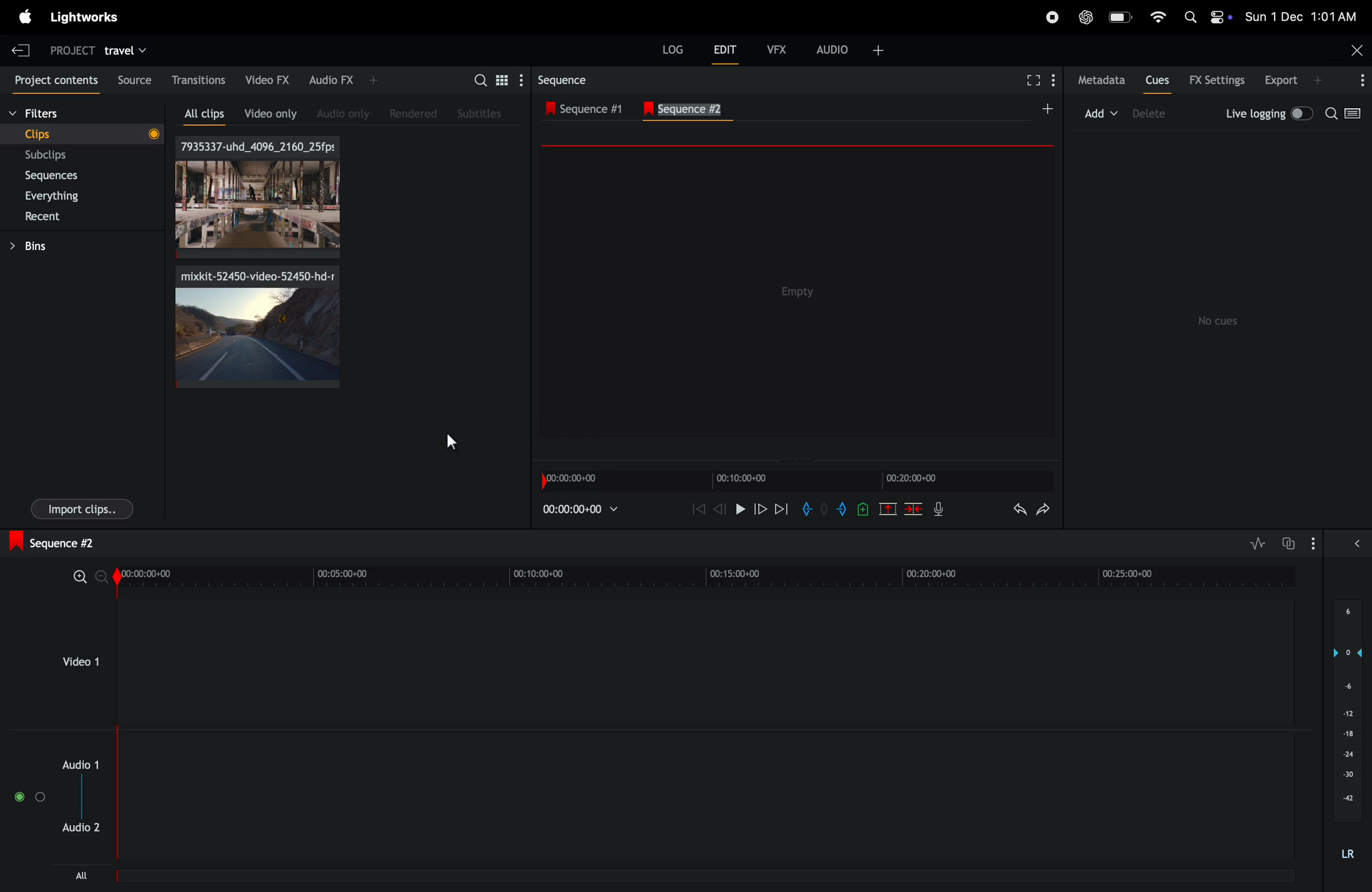  What do you see at coordinates (781, 508) in the screenshot?
I see `next frame` at bounding box center [781, 508].